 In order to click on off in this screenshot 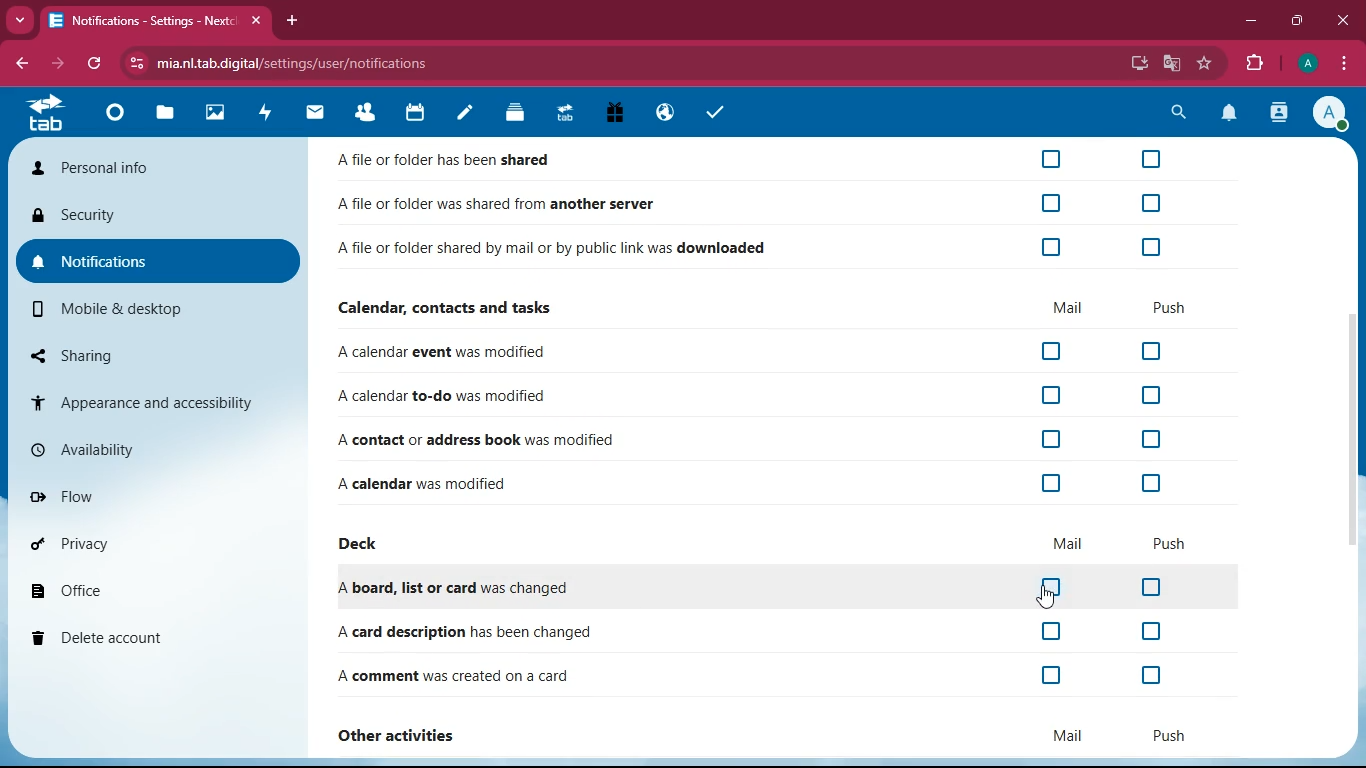, I will do `click(1057, 581)`.